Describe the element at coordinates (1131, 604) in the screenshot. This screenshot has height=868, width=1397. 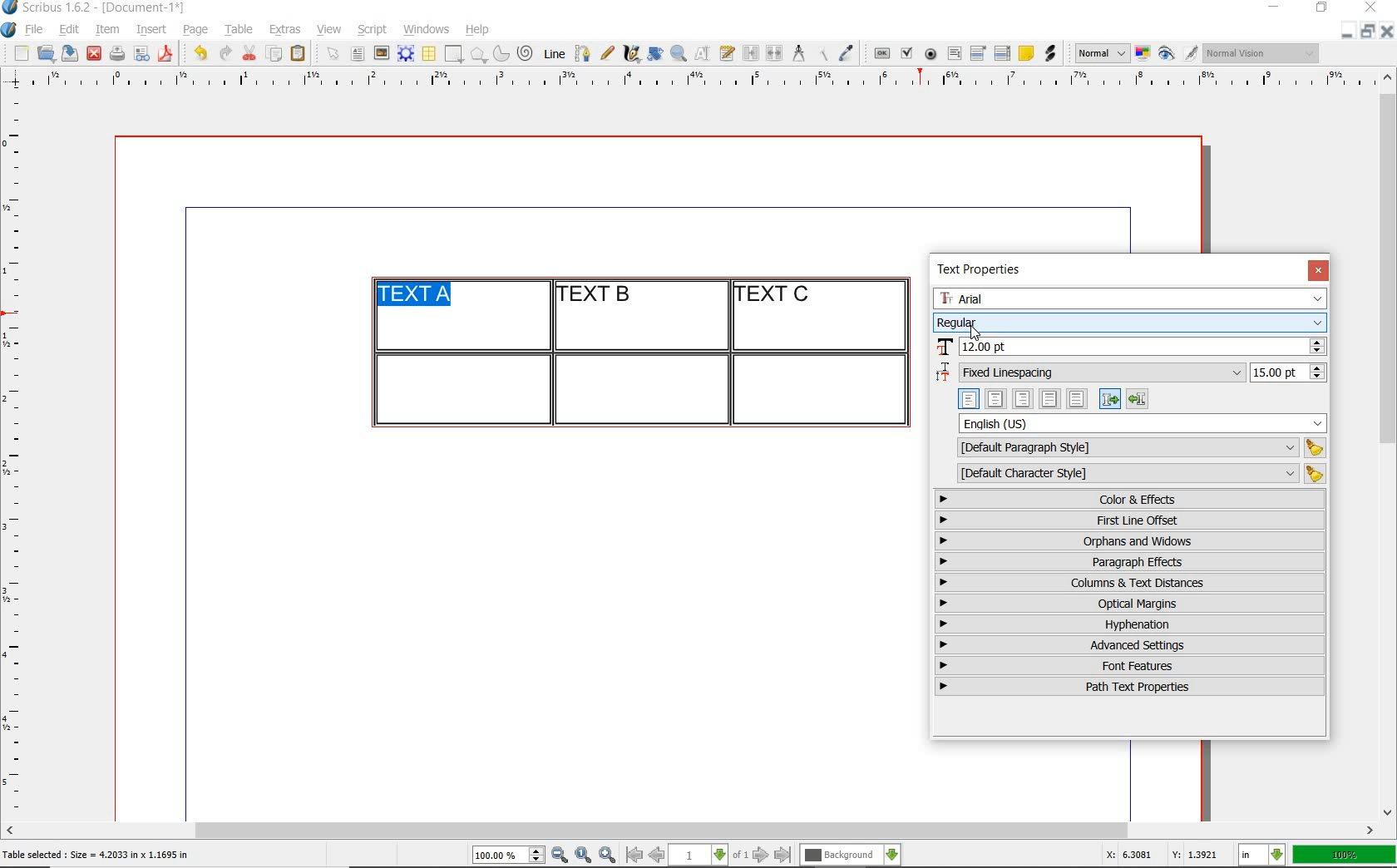
I see `optical margins` at that location.